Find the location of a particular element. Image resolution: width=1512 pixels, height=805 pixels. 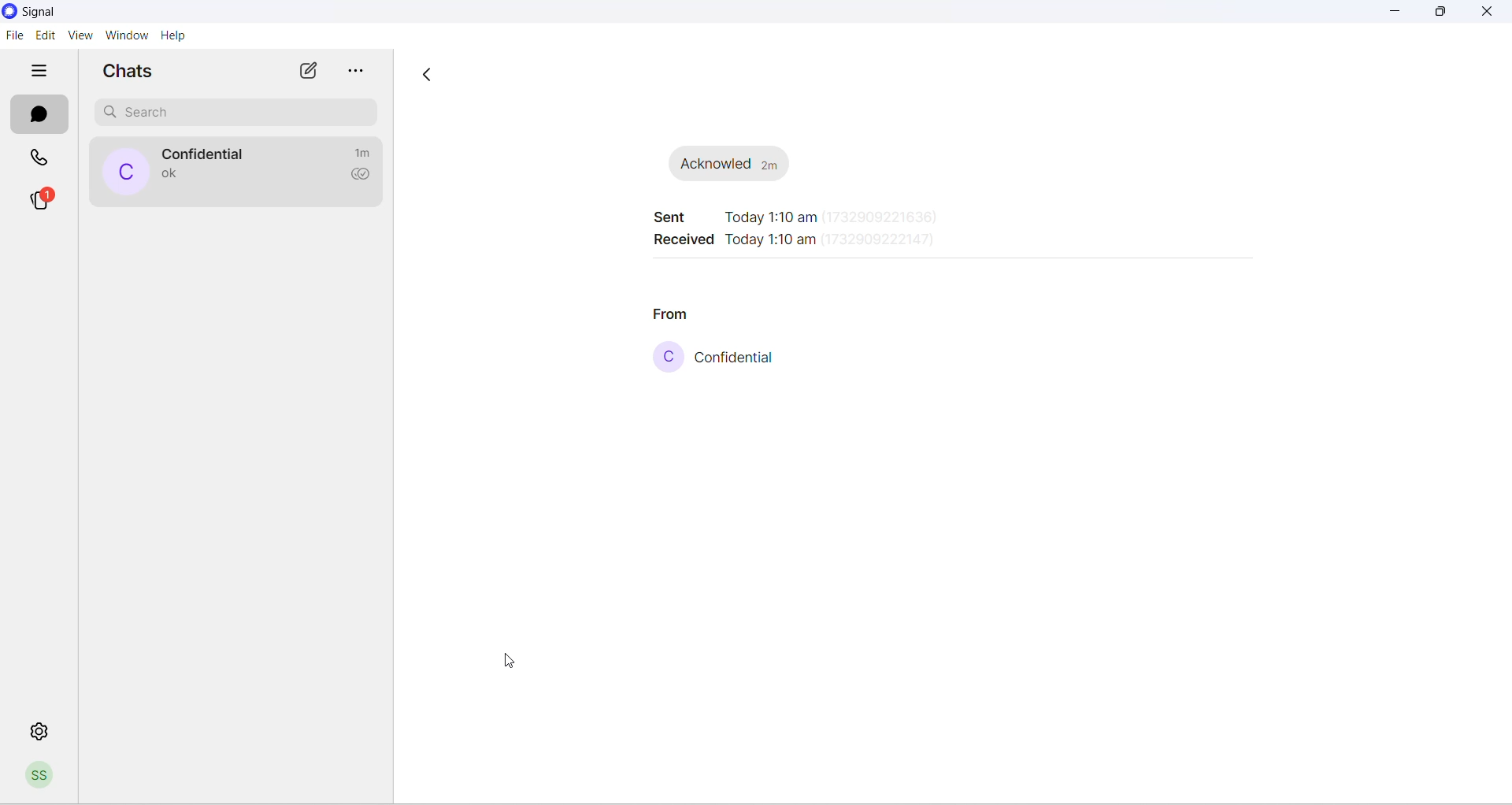

received timing heading is located at coordinates (678, 239).